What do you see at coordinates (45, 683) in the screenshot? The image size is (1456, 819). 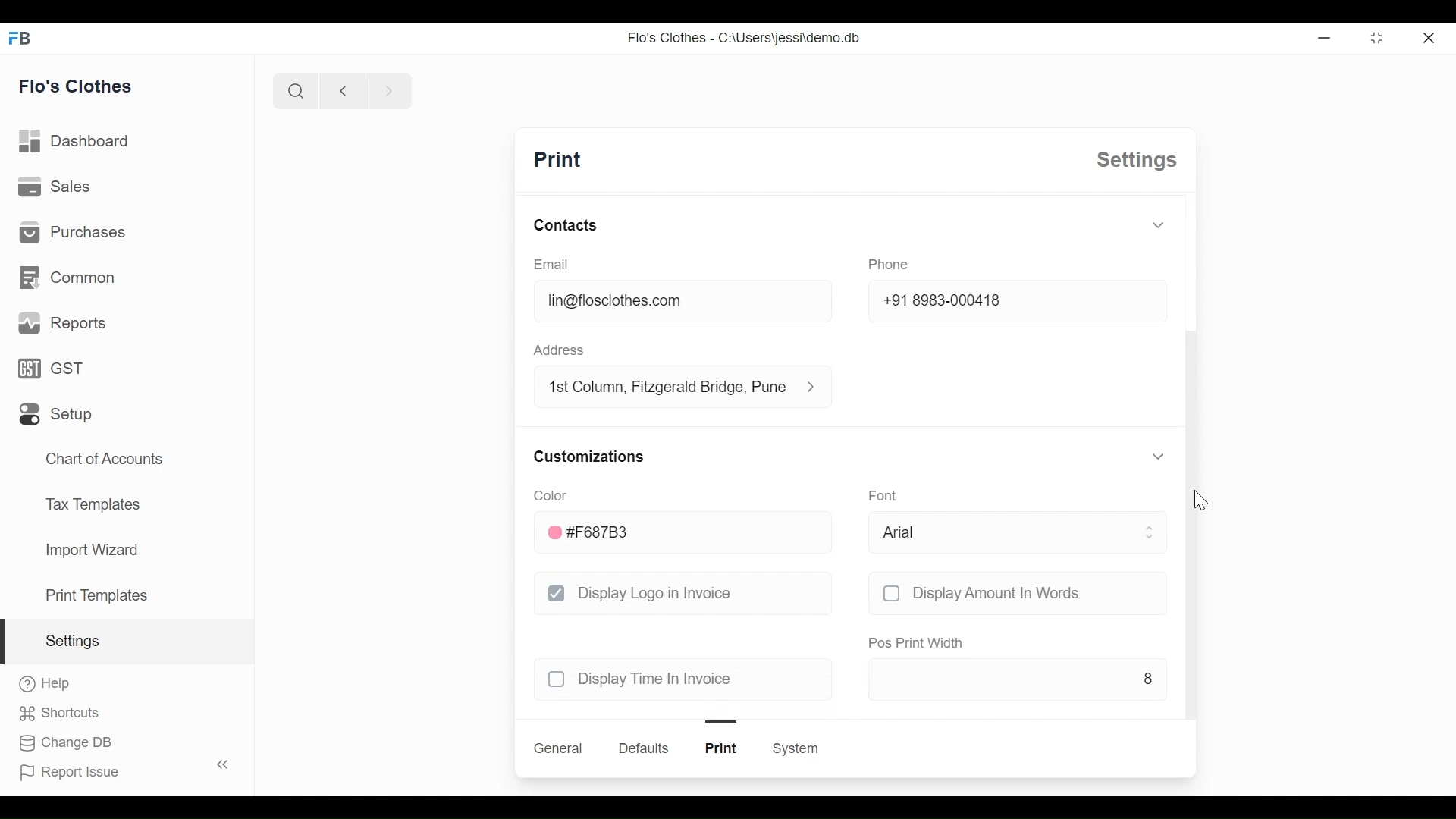 I see `help` at bounding box center [45, 683].